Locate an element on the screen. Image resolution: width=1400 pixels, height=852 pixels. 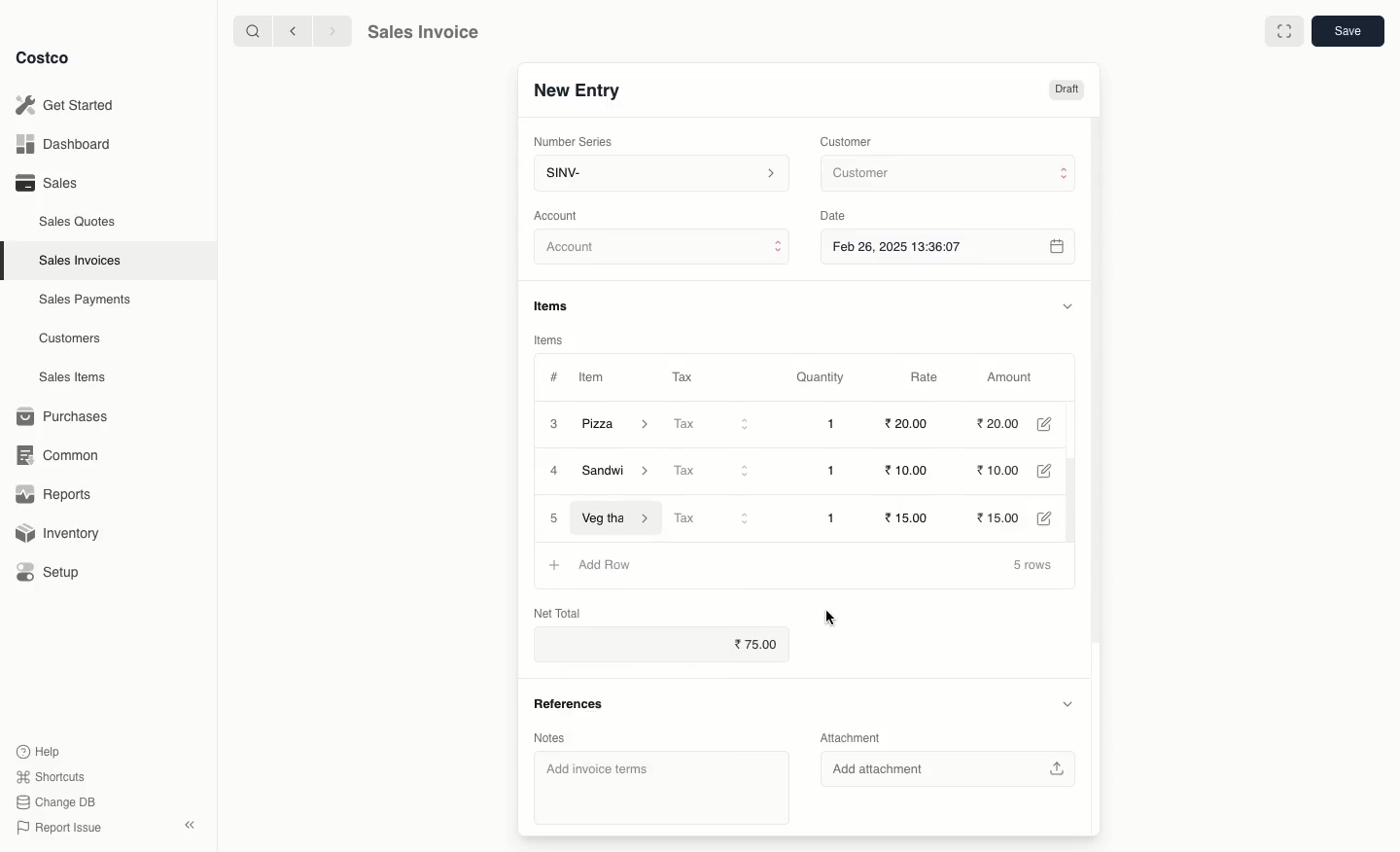
Change DB is located at coordinates (52, 800).